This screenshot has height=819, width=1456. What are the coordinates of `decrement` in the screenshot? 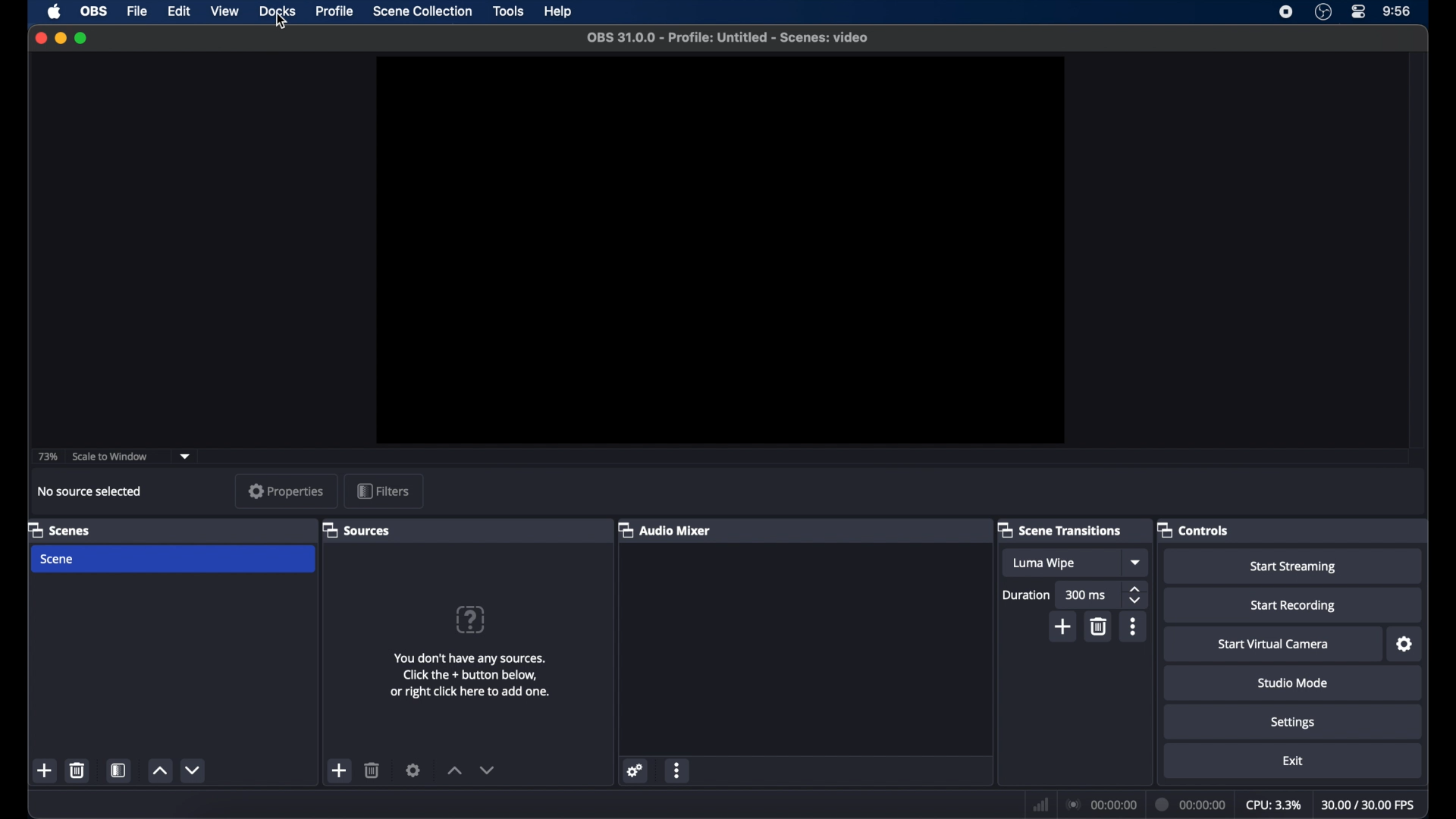 It's located at (487, 769).